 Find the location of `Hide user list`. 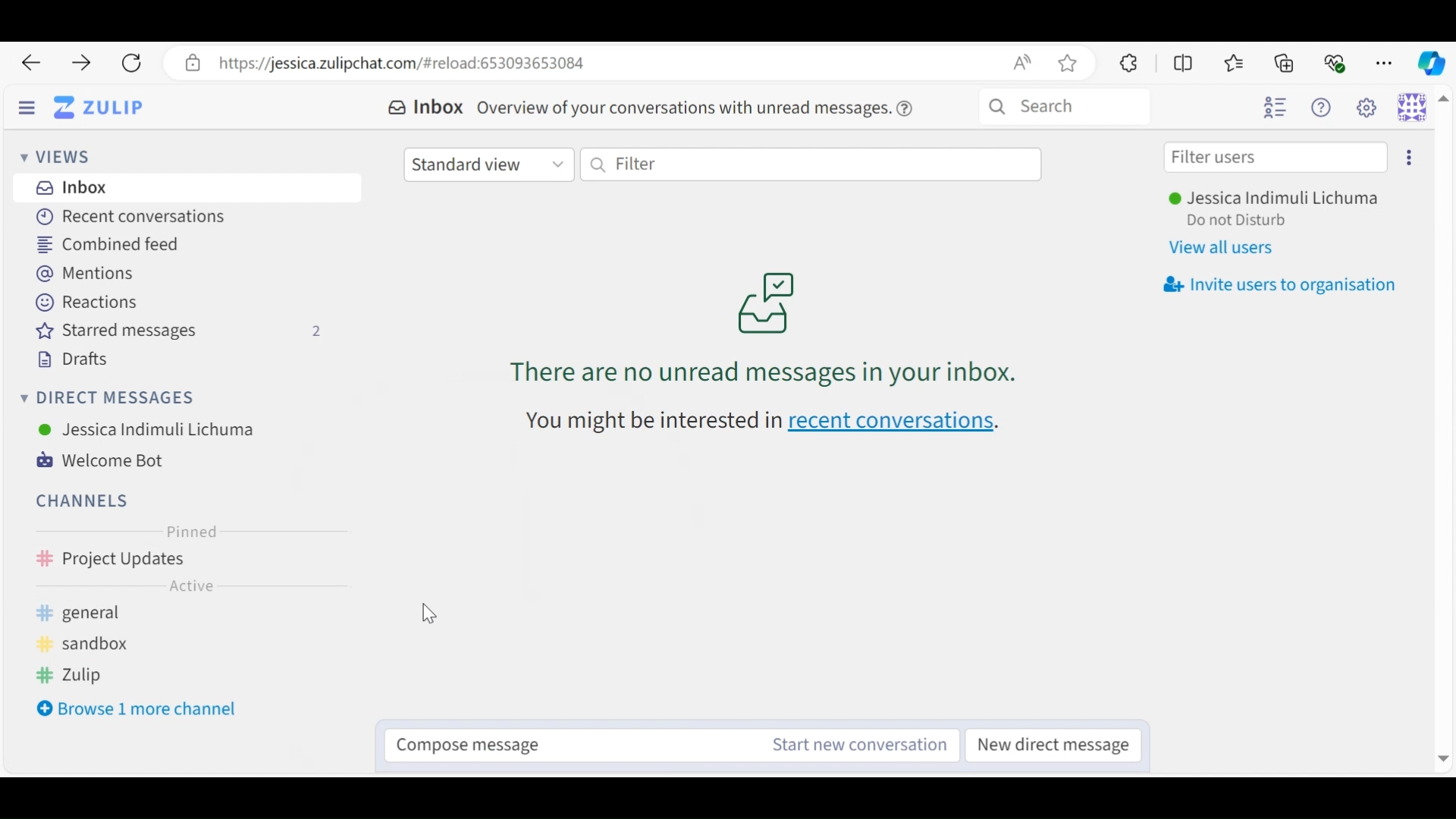

Hide user list is located at coordinates (1275, 108).